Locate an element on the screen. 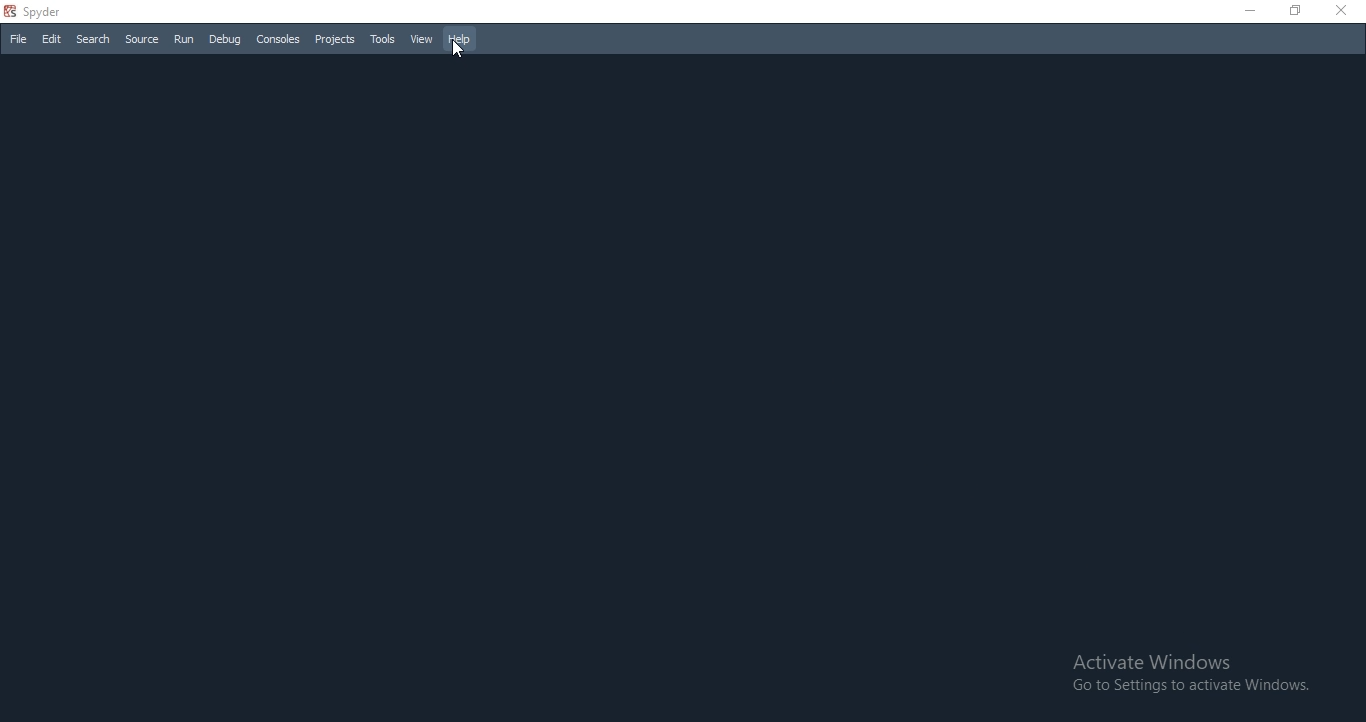 The width and height of the screenshot is (1366, 722). Close is located at coordinates (2673, 16).